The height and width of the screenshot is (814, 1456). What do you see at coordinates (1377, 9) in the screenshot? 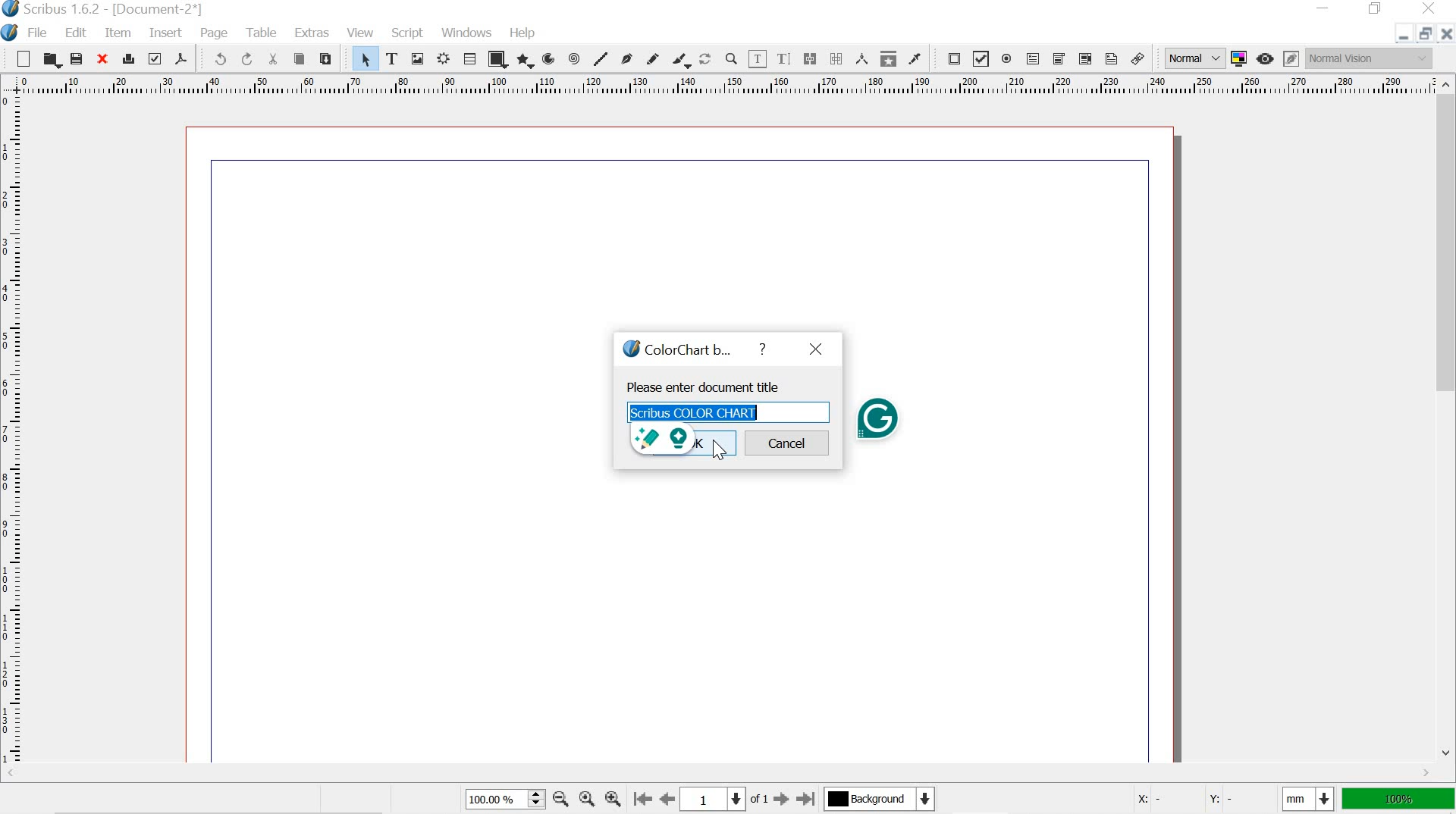
I see `restore down` at bounding box center [1377, 9].